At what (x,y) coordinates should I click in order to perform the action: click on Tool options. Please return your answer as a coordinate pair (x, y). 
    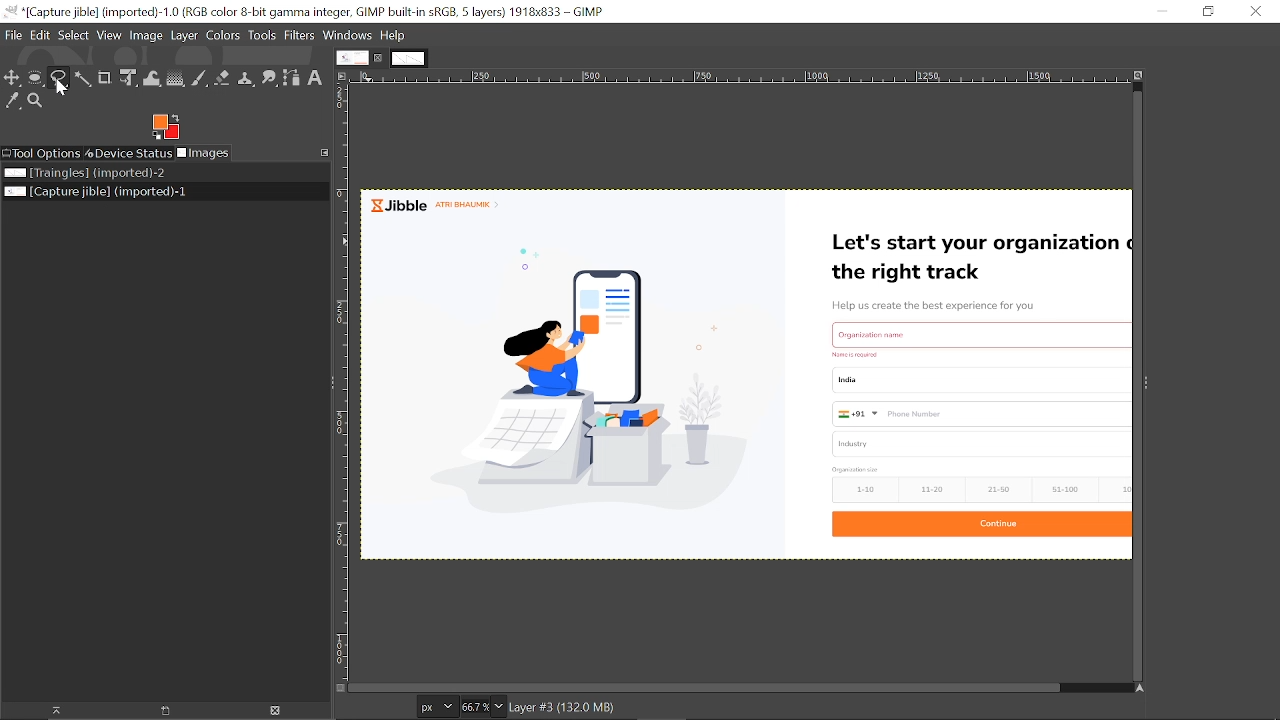
    Looking at the image, I should click on (41, 153).